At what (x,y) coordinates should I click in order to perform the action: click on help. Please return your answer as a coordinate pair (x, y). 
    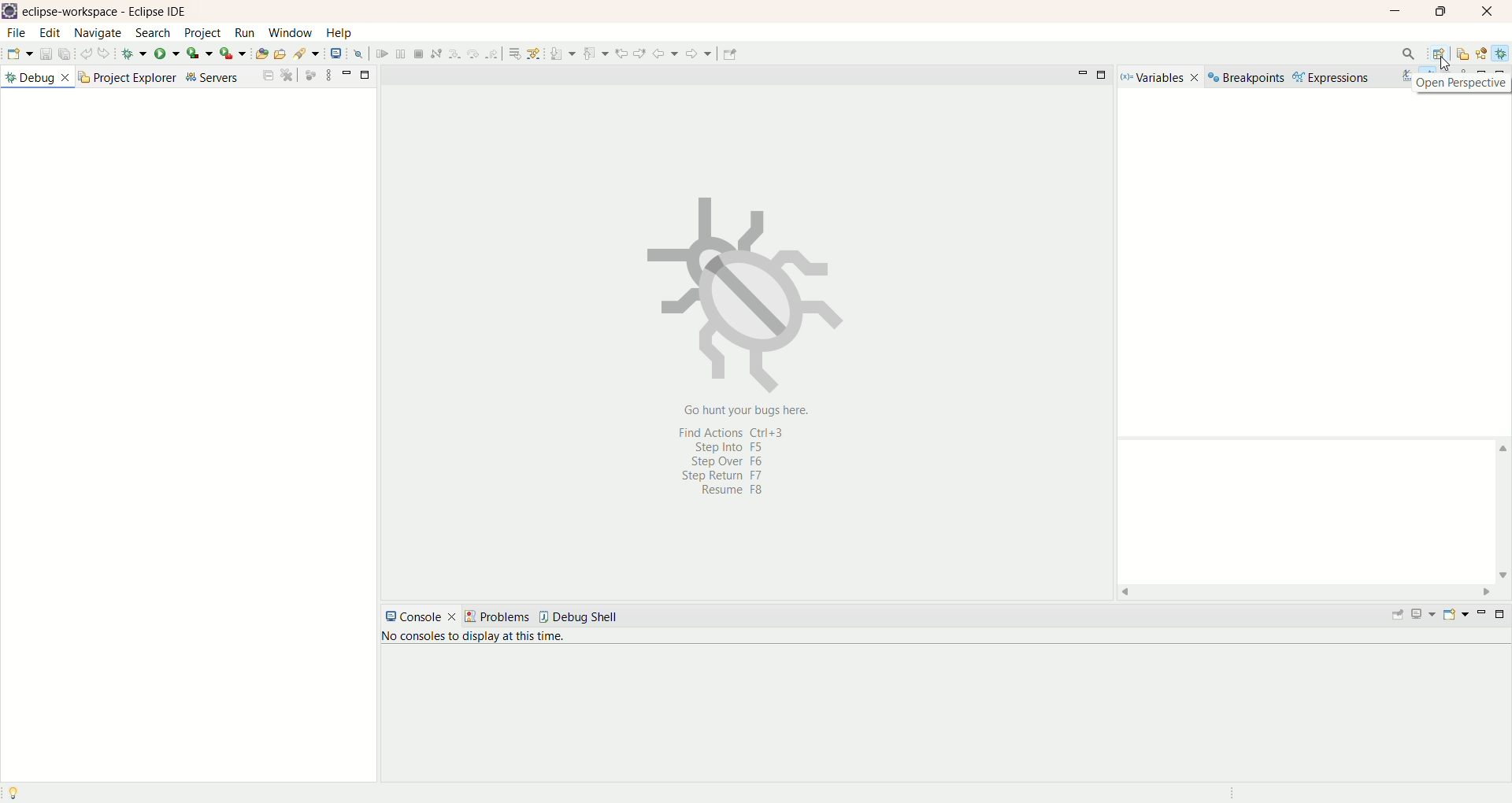
    Looking at the image, I should click on (340, 33).